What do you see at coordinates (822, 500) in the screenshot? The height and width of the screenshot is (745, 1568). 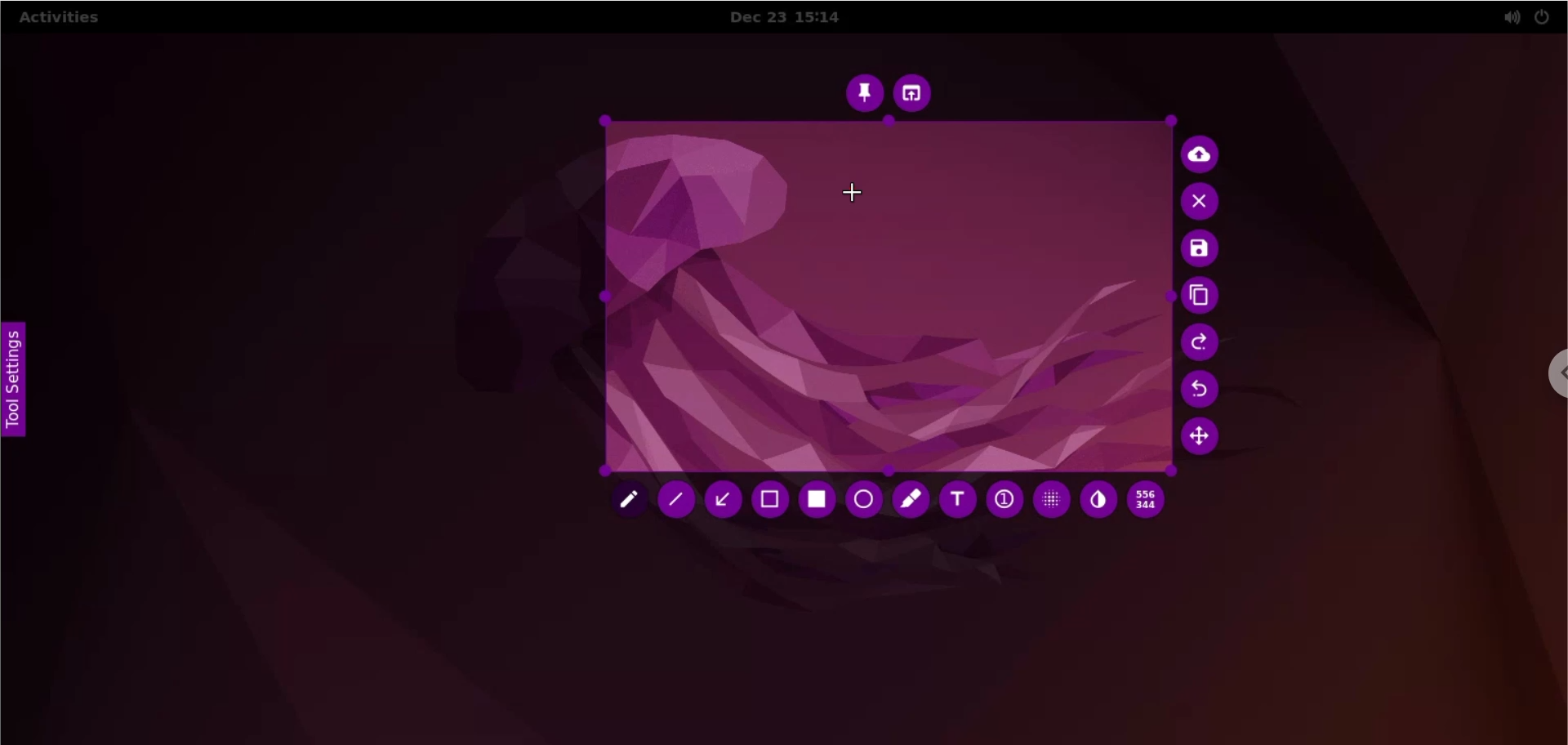 I see `rectangle` at bounding box center [822, 500].